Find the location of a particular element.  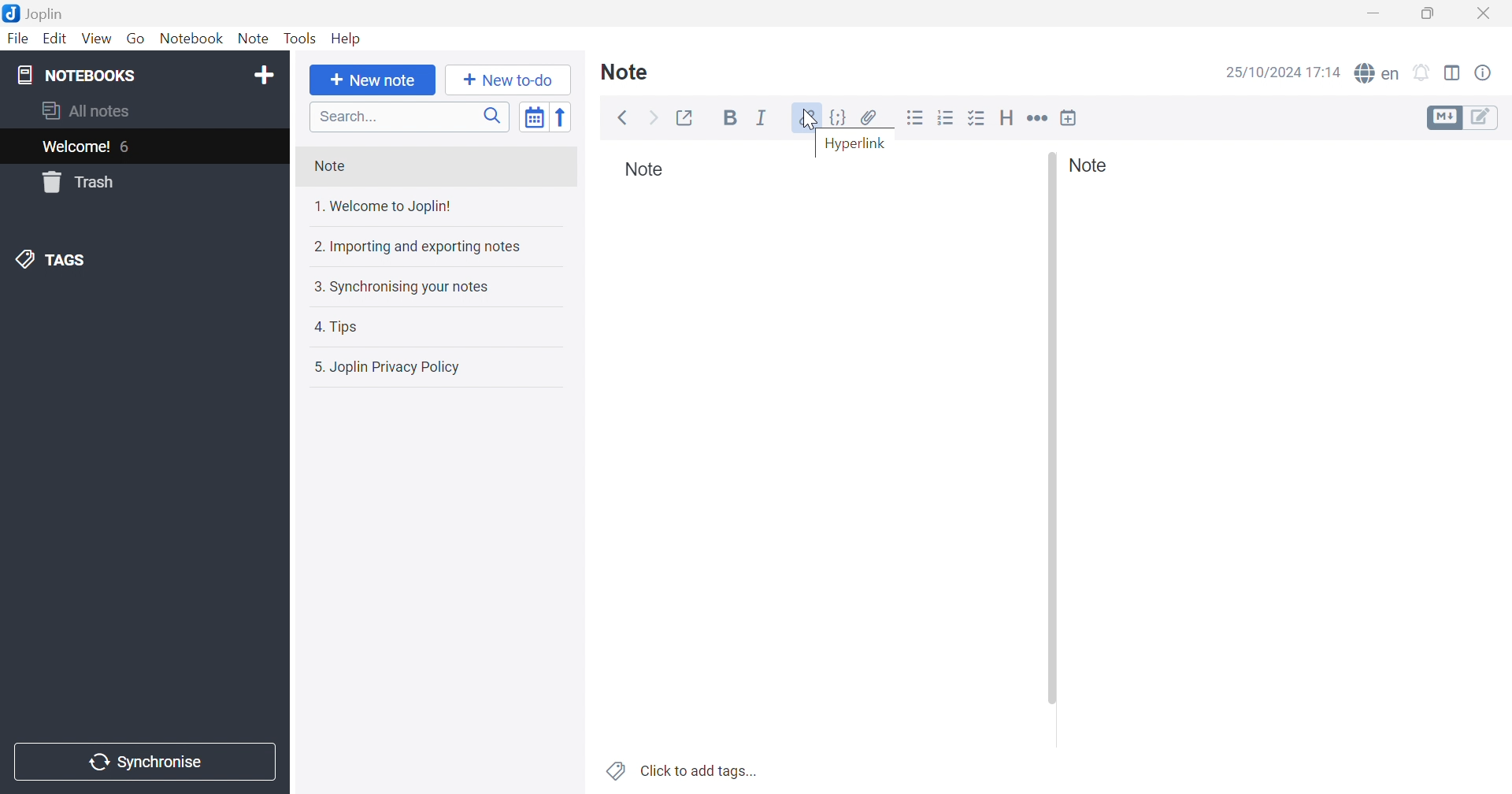

+ New to-do is located at coordinates (510, 80).